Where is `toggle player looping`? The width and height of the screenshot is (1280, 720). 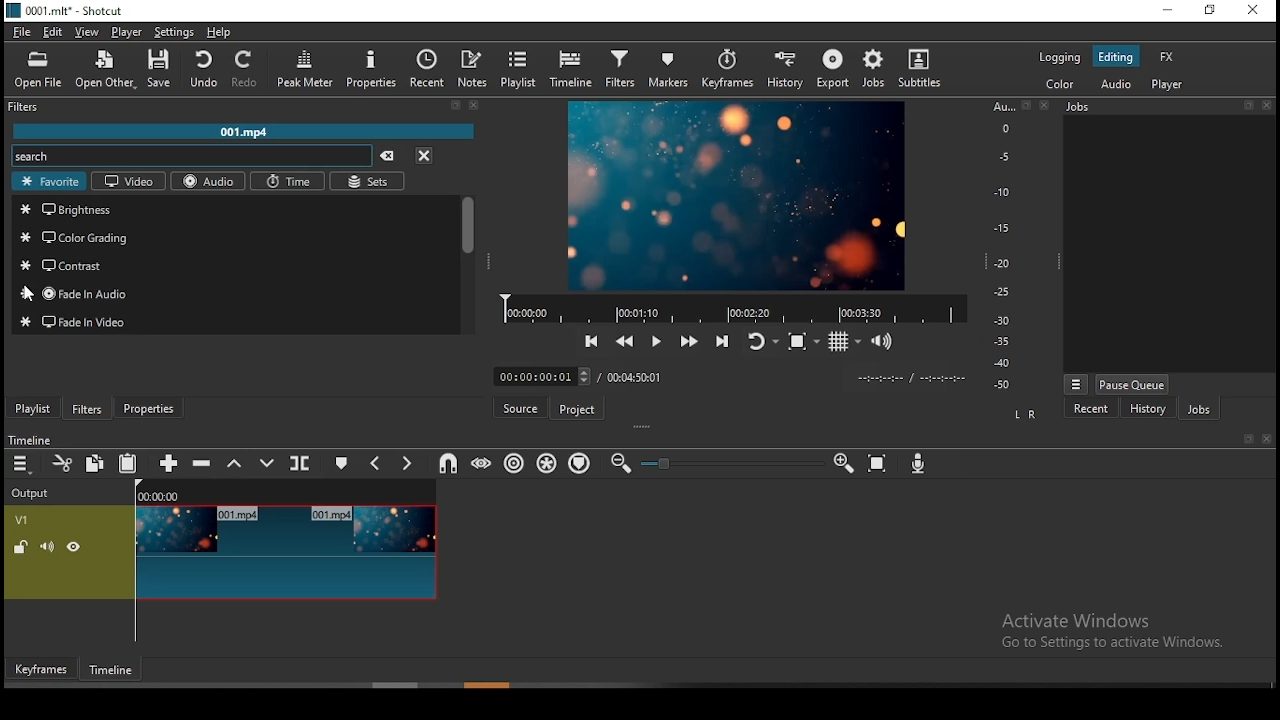 toggle player looping is located at coordinates (758, 338).